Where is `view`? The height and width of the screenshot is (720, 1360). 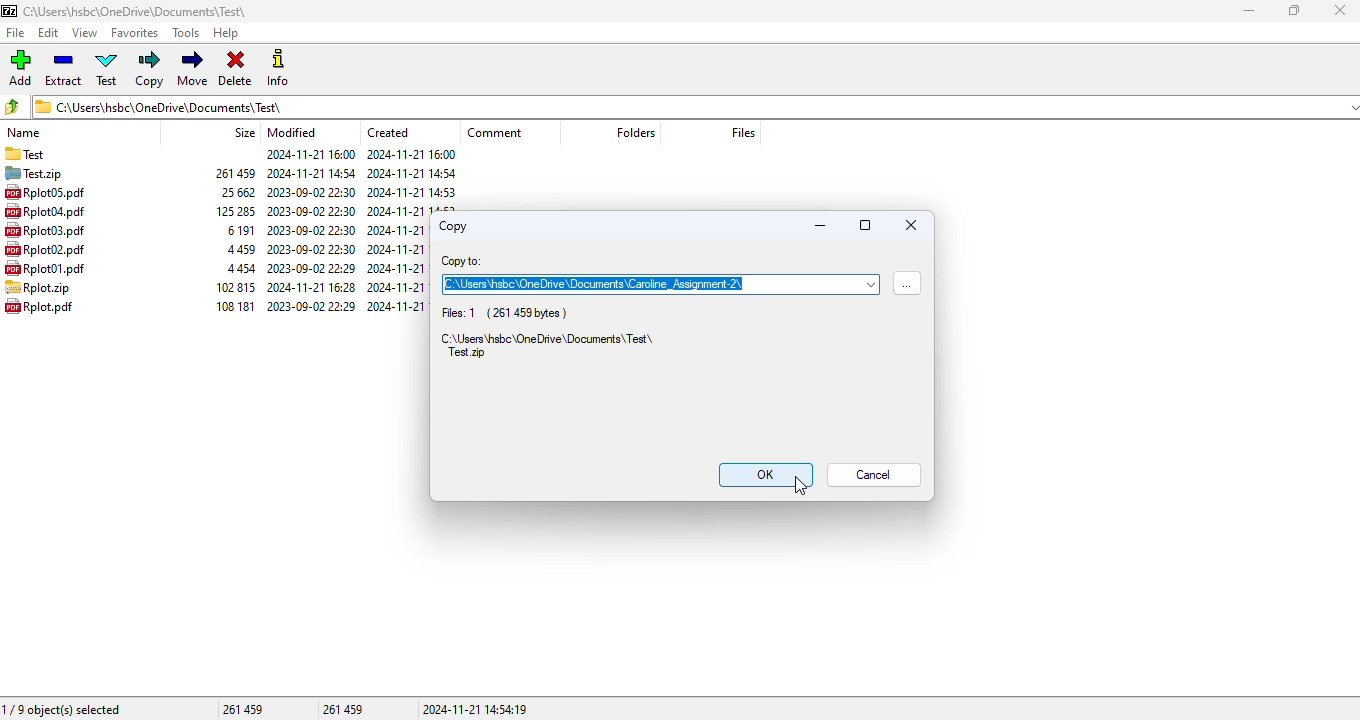
view is located at coordinates (86, 32).